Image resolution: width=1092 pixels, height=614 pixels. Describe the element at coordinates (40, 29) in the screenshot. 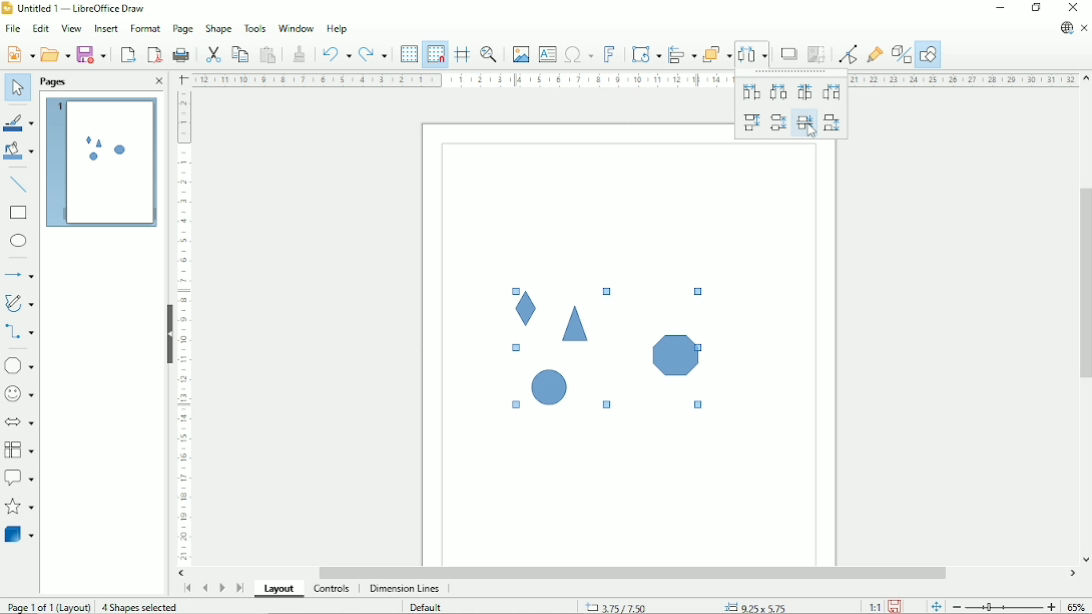

I see `Edit` at that location.